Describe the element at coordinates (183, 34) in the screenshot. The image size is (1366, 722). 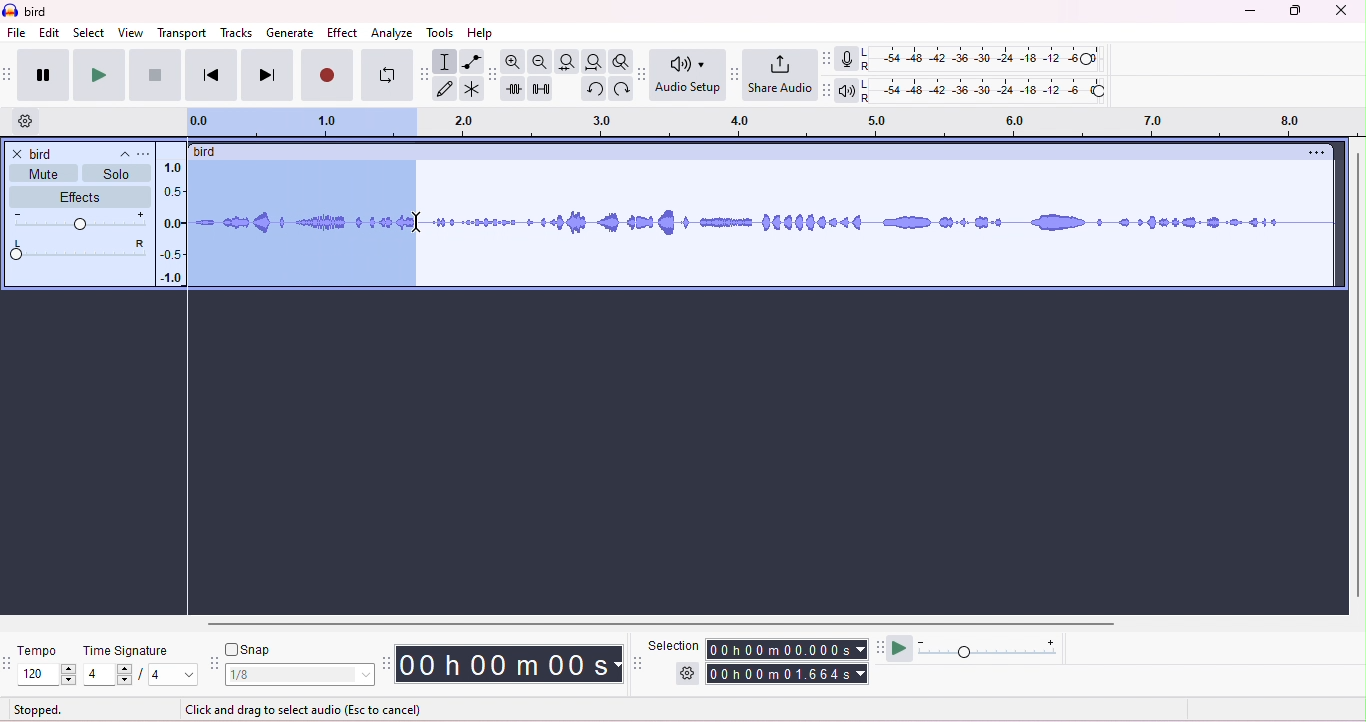
I see `transport` at that location.